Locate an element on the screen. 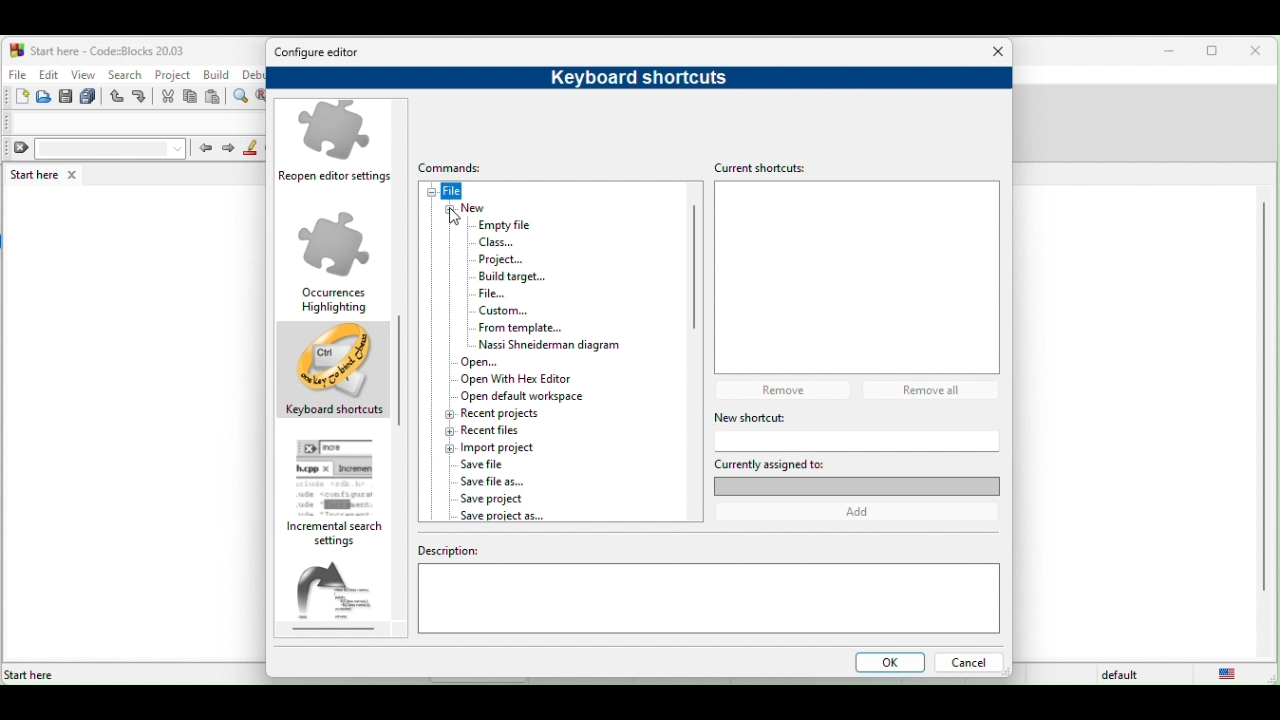 The height and width of the screenshot is (720, 1280). undo is located at coordinates (118, 97).